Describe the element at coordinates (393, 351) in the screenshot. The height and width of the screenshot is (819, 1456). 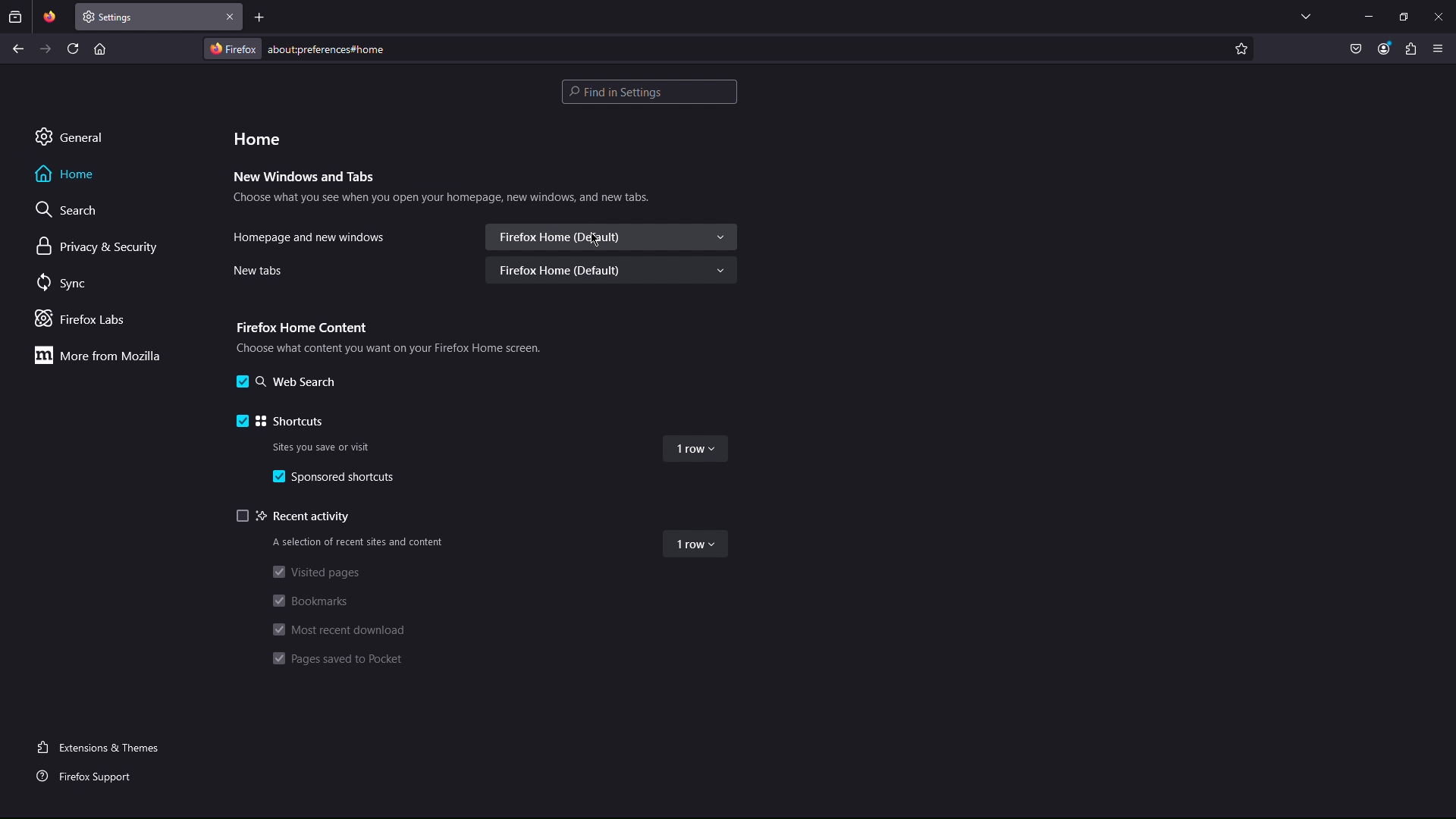
I see `Choose what content you want on your Firefox Home screen` at that location.